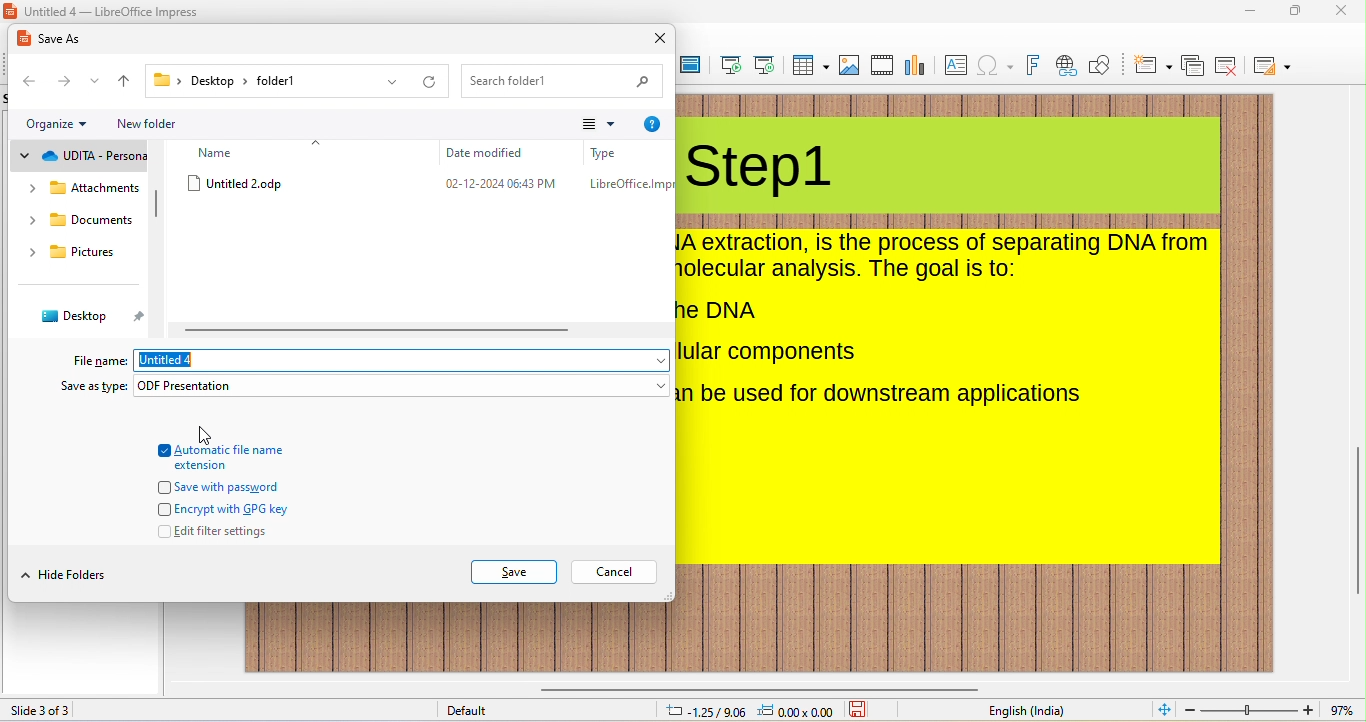 This screenshot has width=1366, height=722. Describe the element at coordinates (243, 386) in the screenshot. I see `type` at that location.